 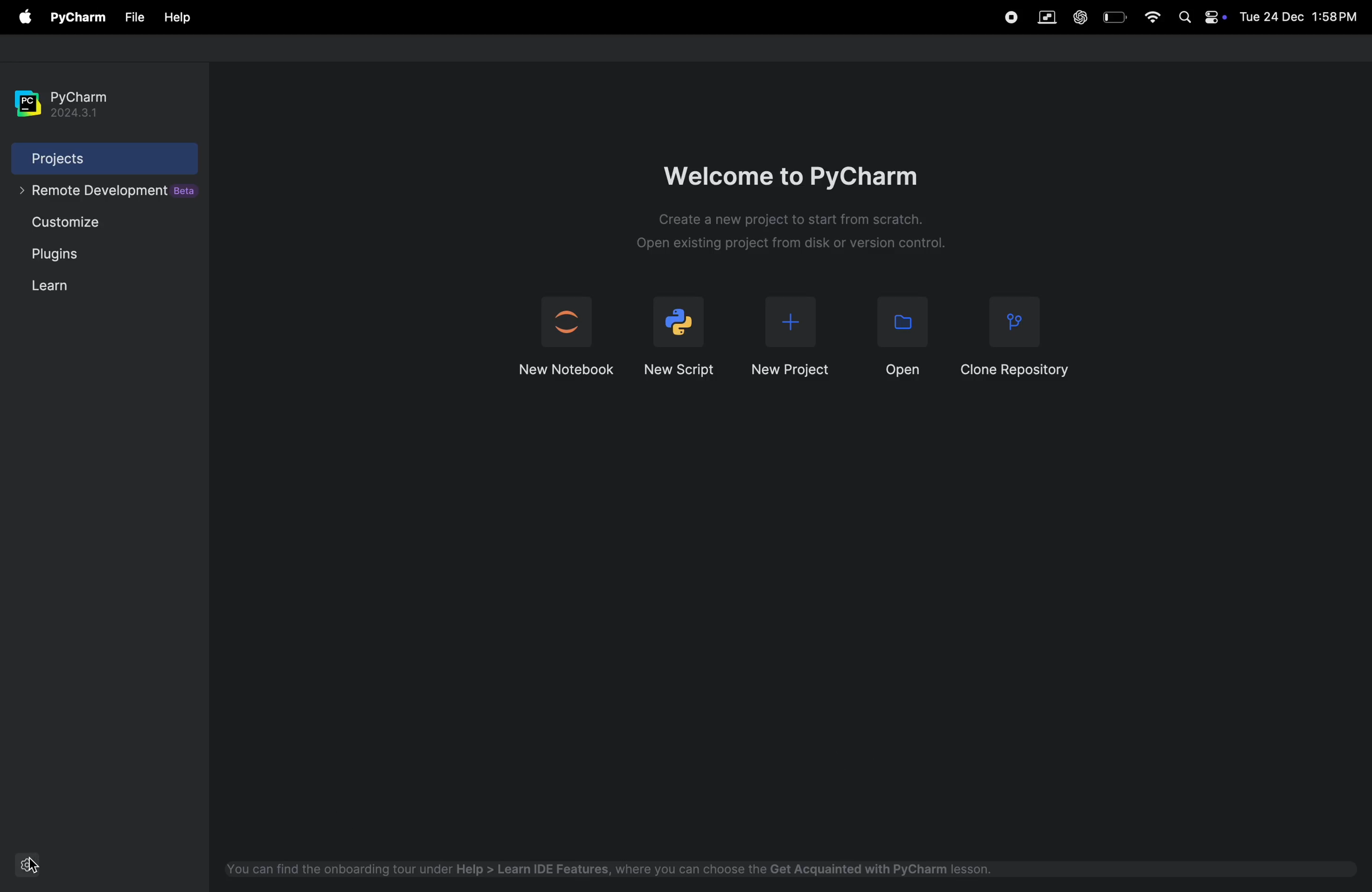 What do you see at coordinates (1297, 18) in the screenshot?
I see `Tue 24 Dec 1:58PM` at bounding box center [1297, 18].